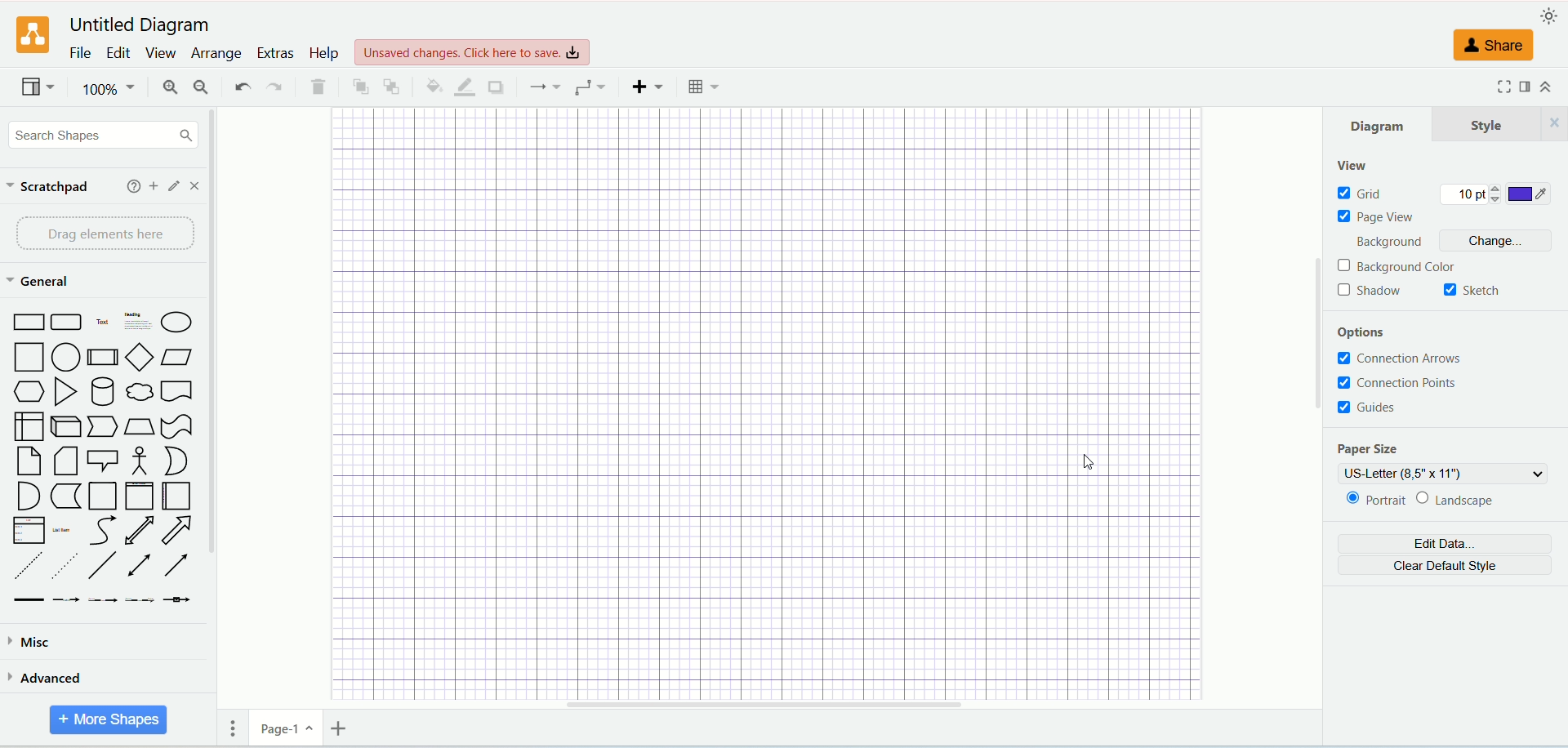 This screenshot has height=748, width=1568. What do you see at coordinates (29, 461) in the screenshot?
I see `Card` at bounding box center [29, 461].